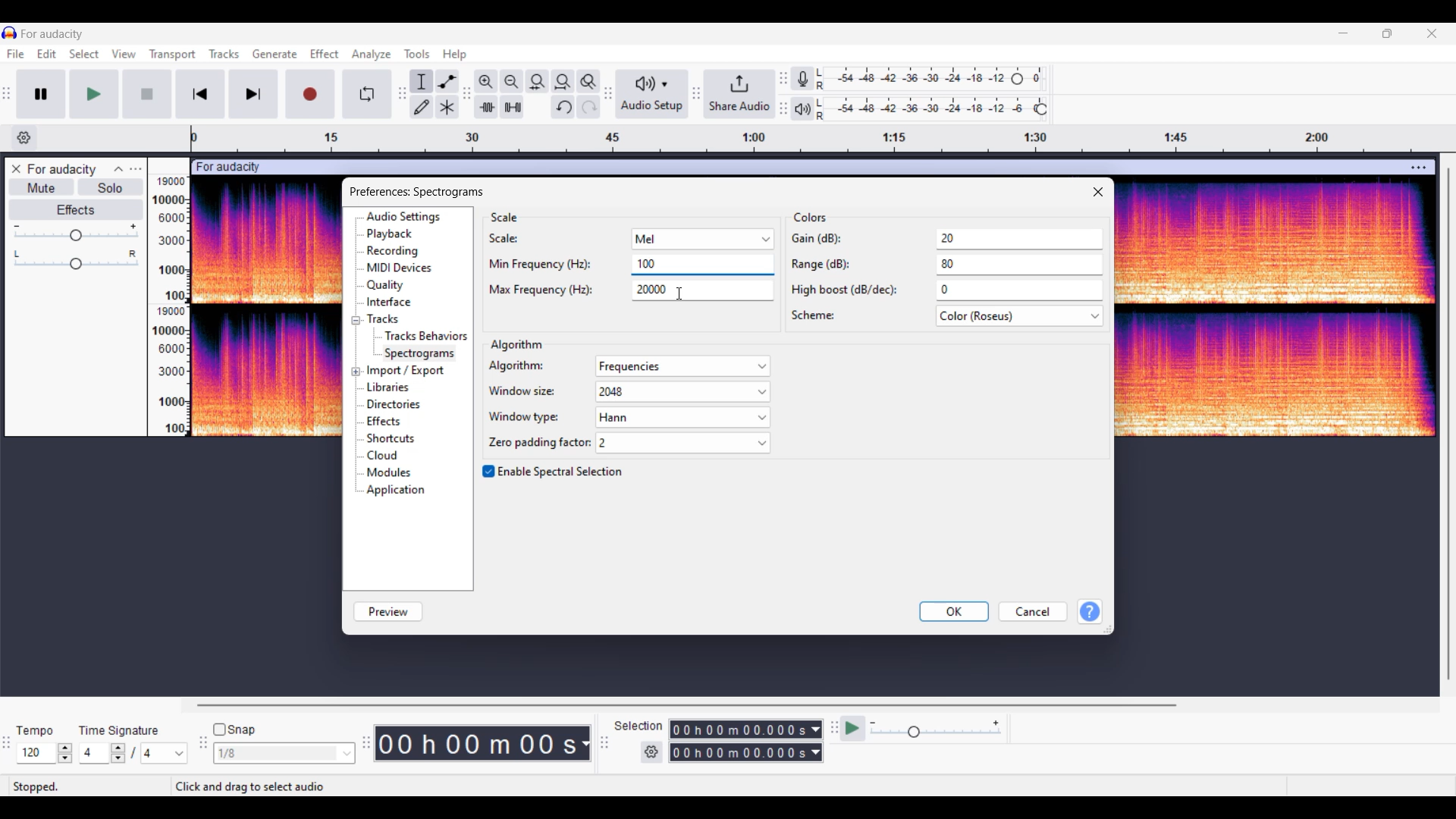 The height and width of the screenshot is (819, 1456). What do you see at coordinates (639, 726) in the screenshot?
I see `Indicates selection duration` at bounding box center [639, 726].